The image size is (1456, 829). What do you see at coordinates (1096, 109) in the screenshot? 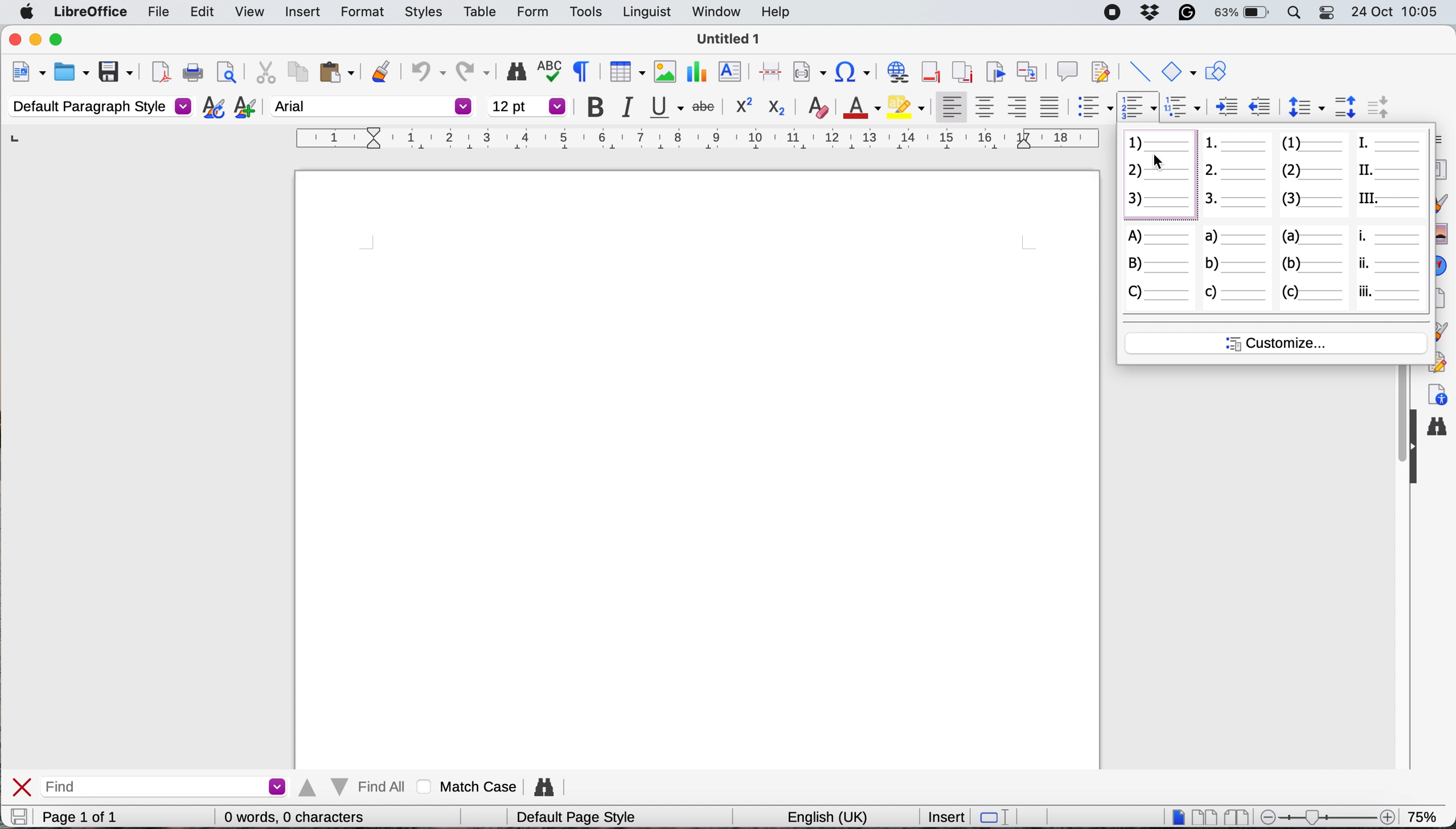
I see `toggle unordered list` at bounding box center [1096, 109].